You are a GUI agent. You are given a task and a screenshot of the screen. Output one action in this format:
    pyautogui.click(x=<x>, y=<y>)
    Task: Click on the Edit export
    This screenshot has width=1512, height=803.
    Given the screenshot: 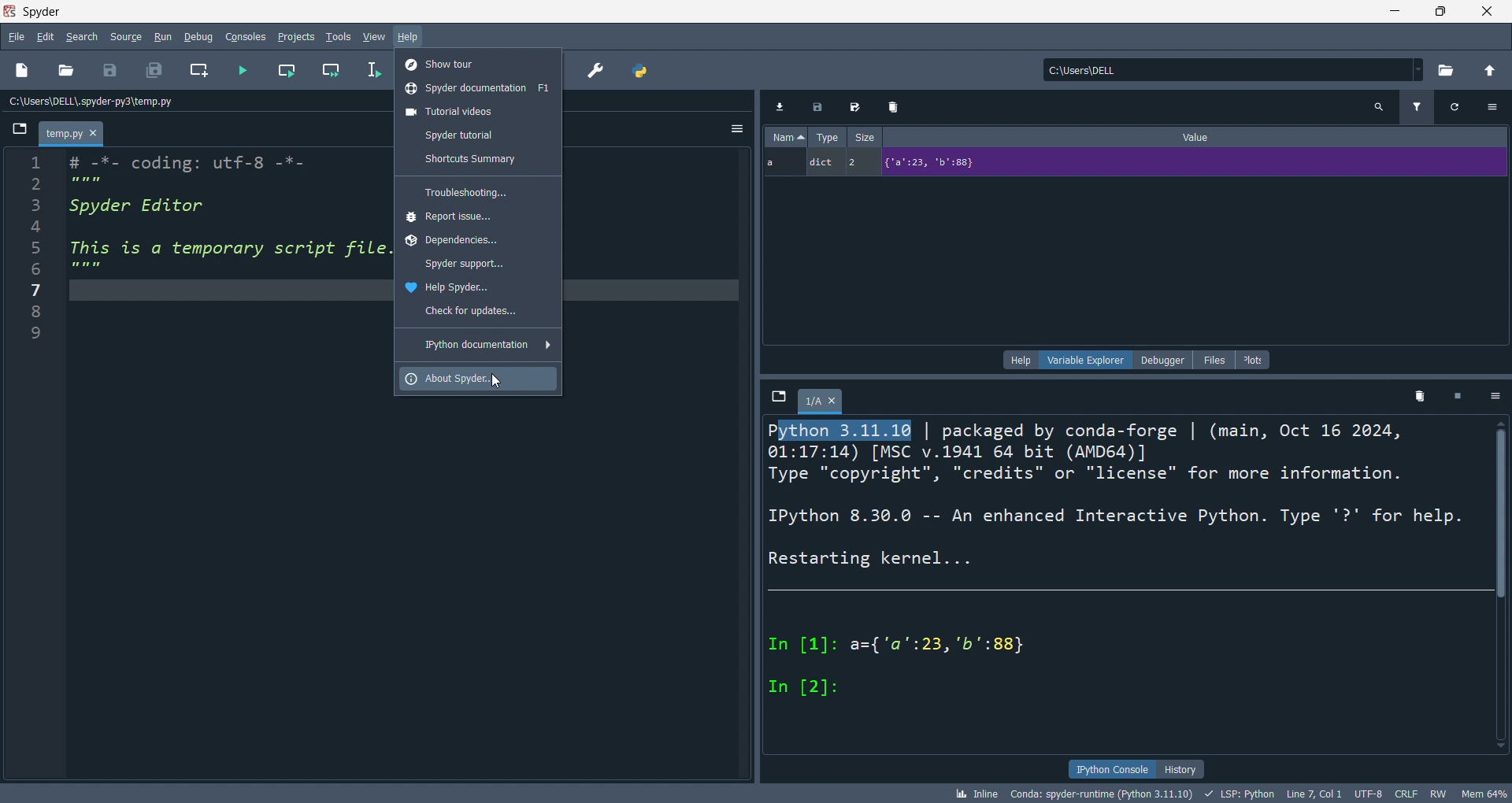 What is the action you would take?
    pyautogui.click(x=856, y=105)
    